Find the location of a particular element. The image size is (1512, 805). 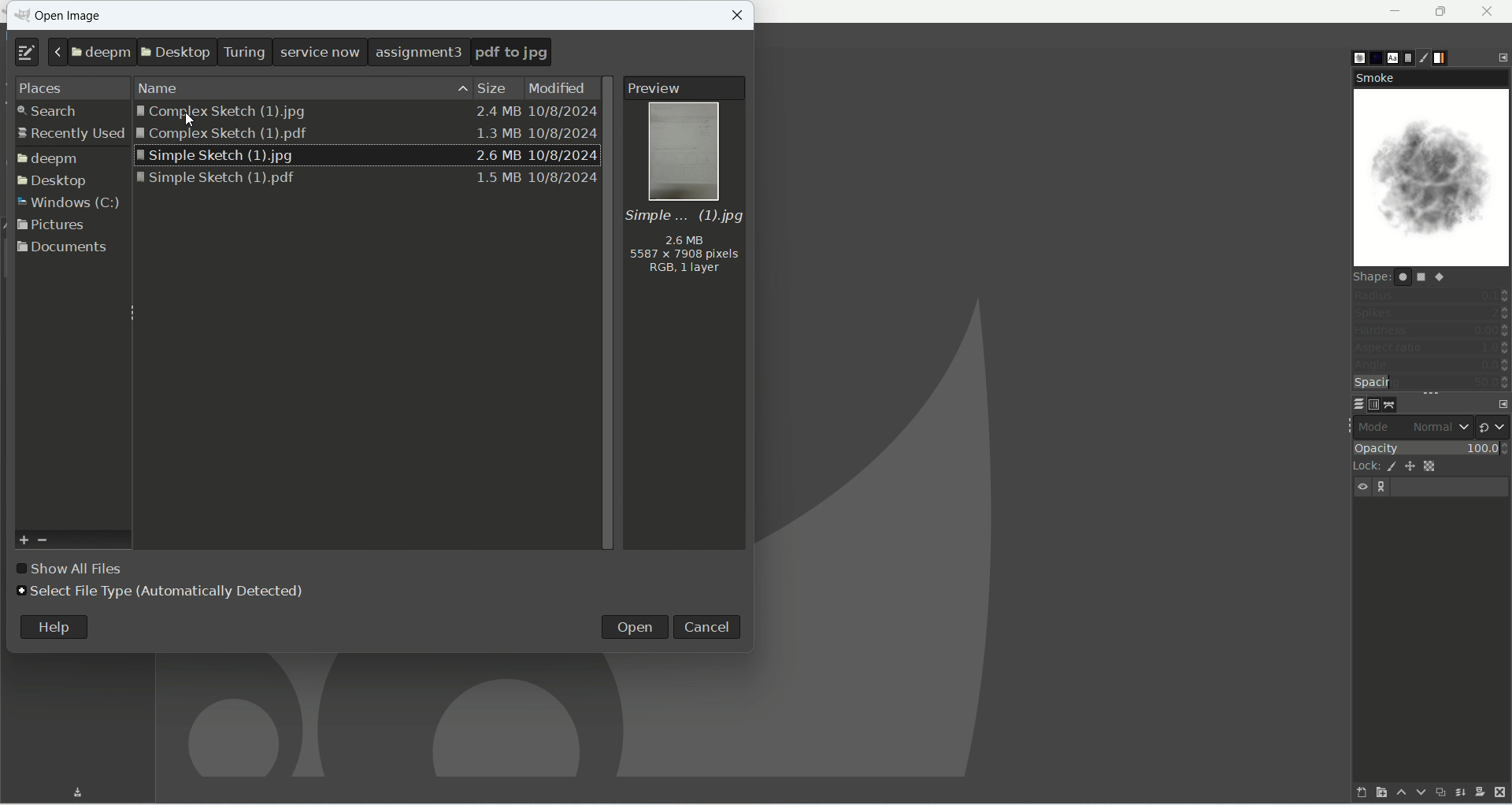

open image is located at coordinates (67, 19).